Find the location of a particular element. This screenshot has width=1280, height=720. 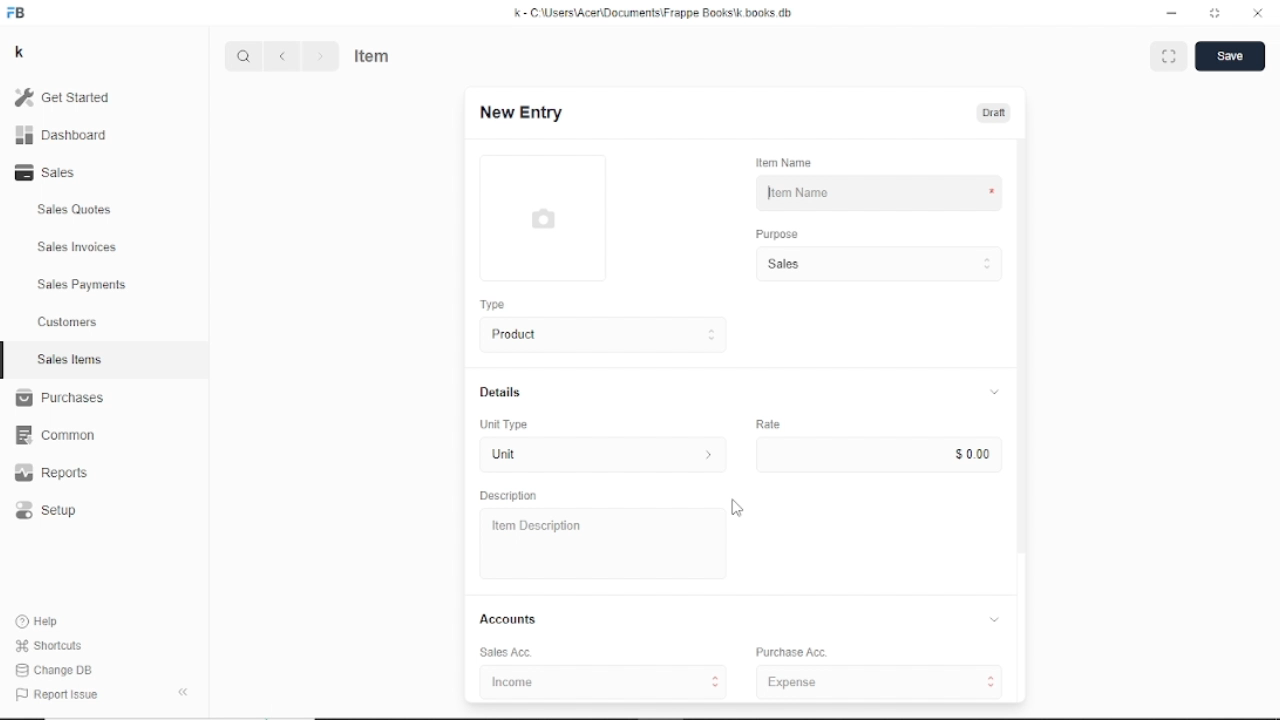

 Item is located at coordinates (373, 54).